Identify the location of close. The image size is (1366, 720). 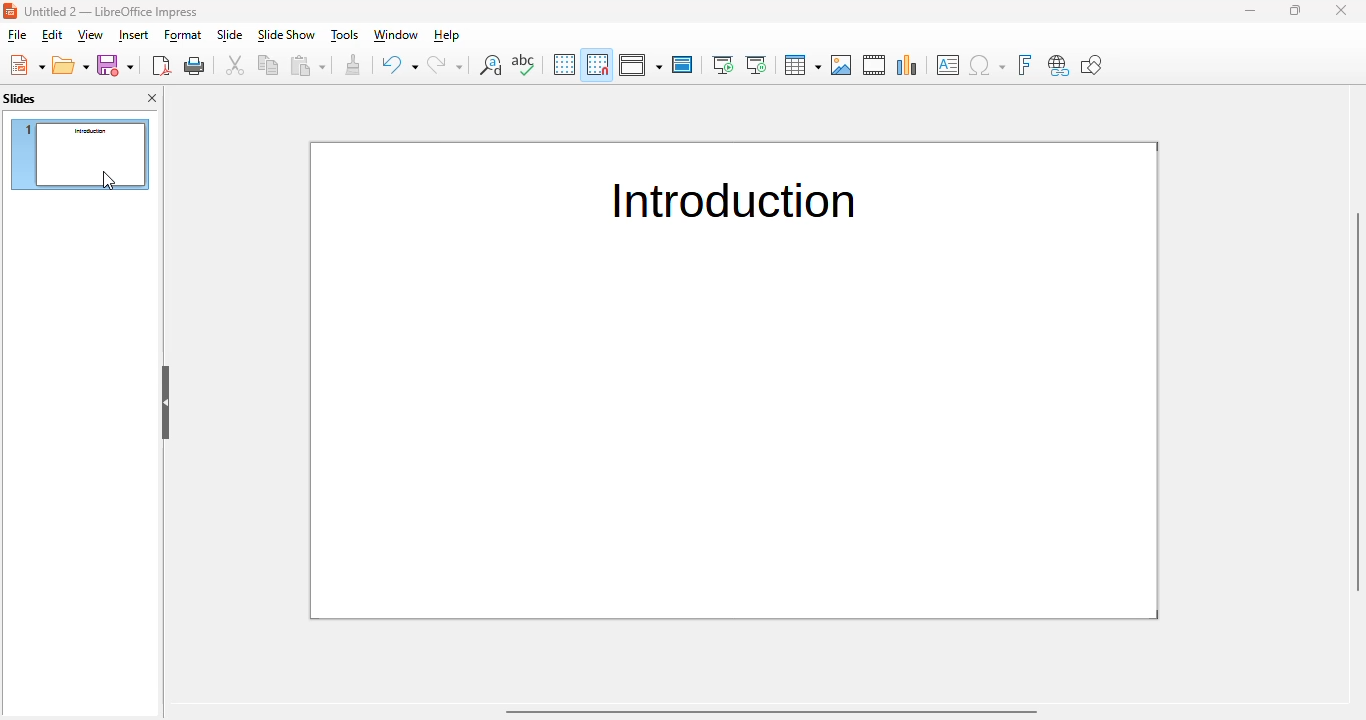
(1340, 10).